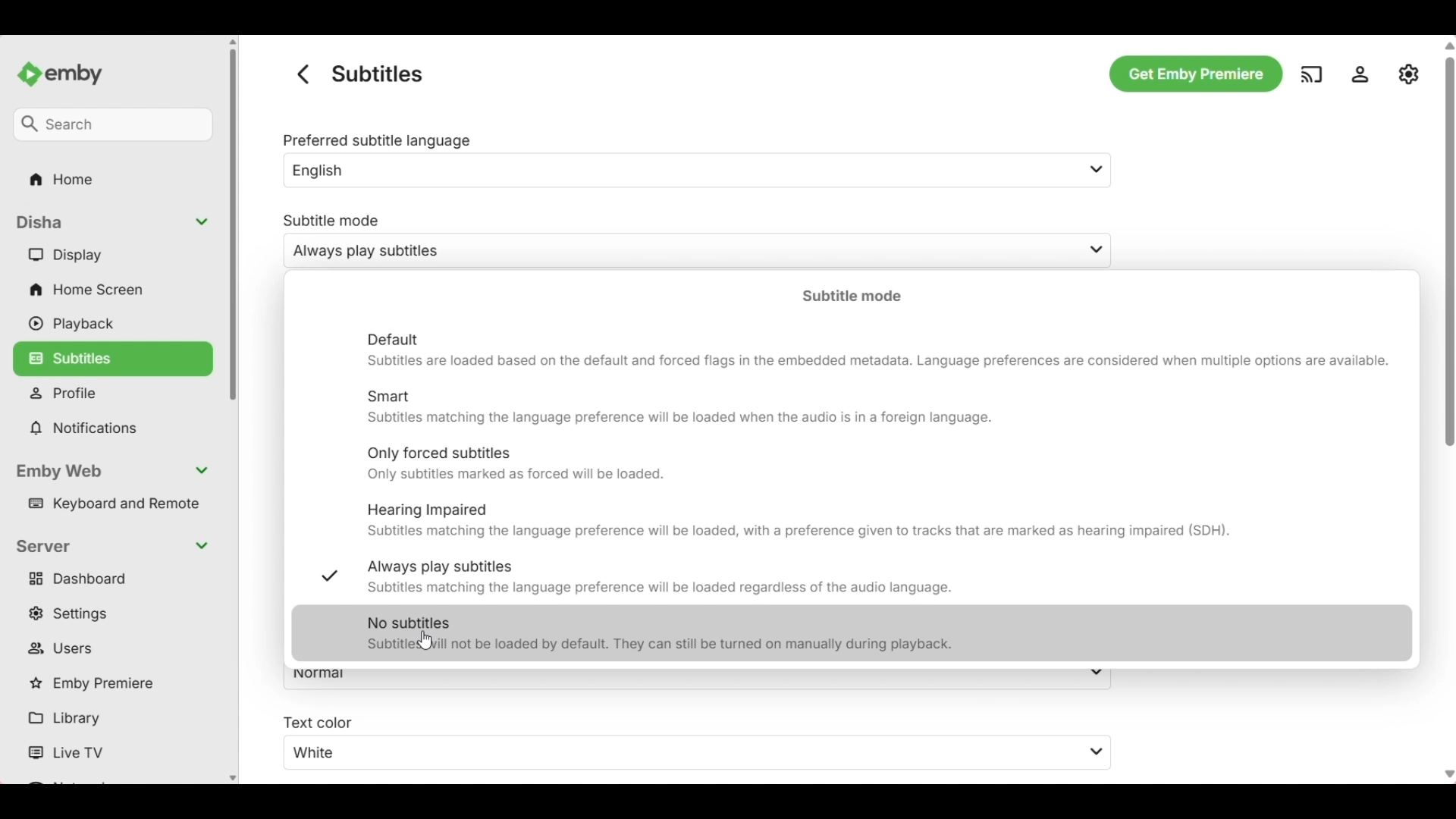 Image resolution: width=1456 pixels, height=819 pixels. I want to click on Playback, so click(115, 324).